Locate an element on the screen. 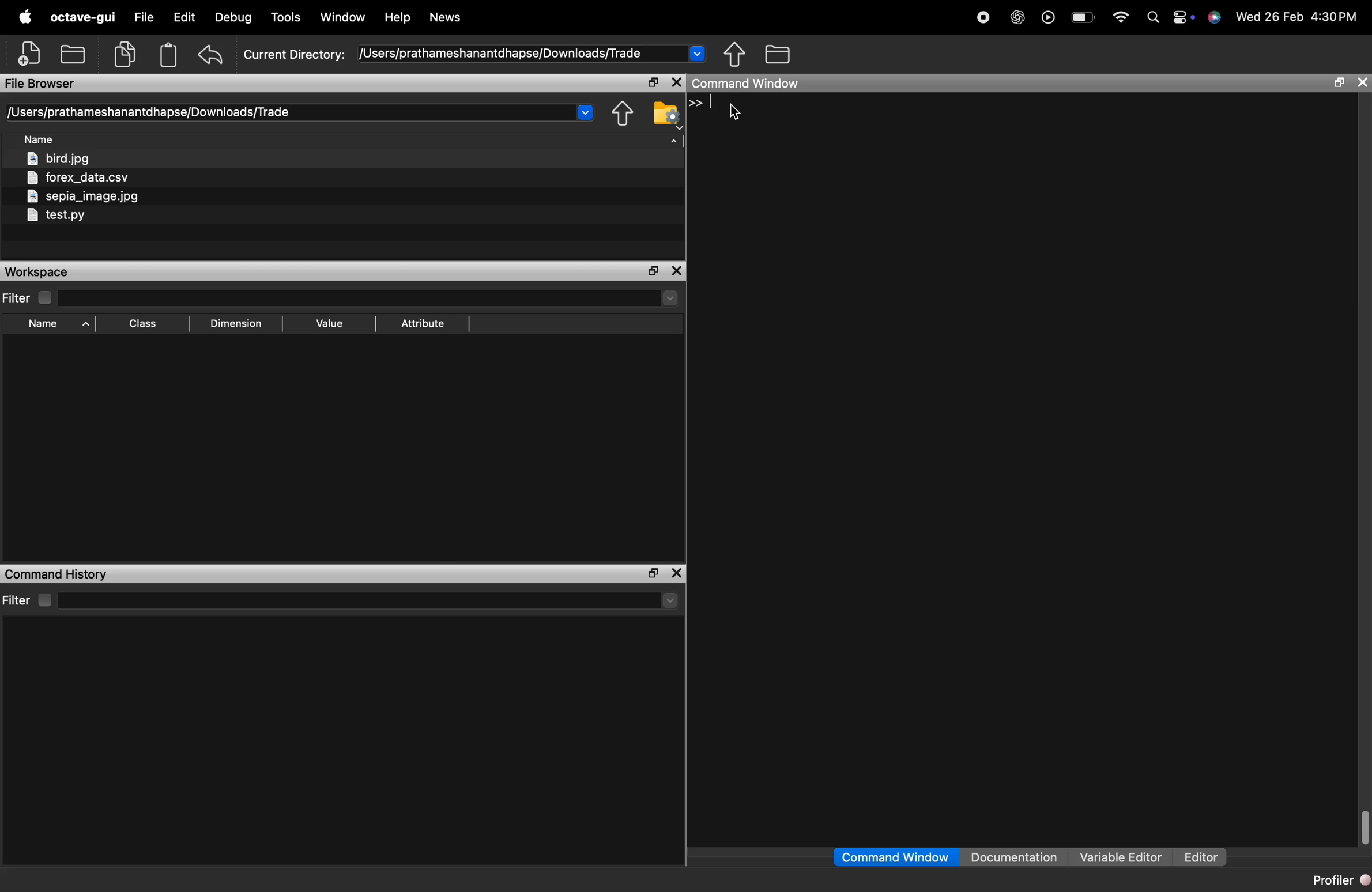  Command Window is located at coordinates (895, 857).